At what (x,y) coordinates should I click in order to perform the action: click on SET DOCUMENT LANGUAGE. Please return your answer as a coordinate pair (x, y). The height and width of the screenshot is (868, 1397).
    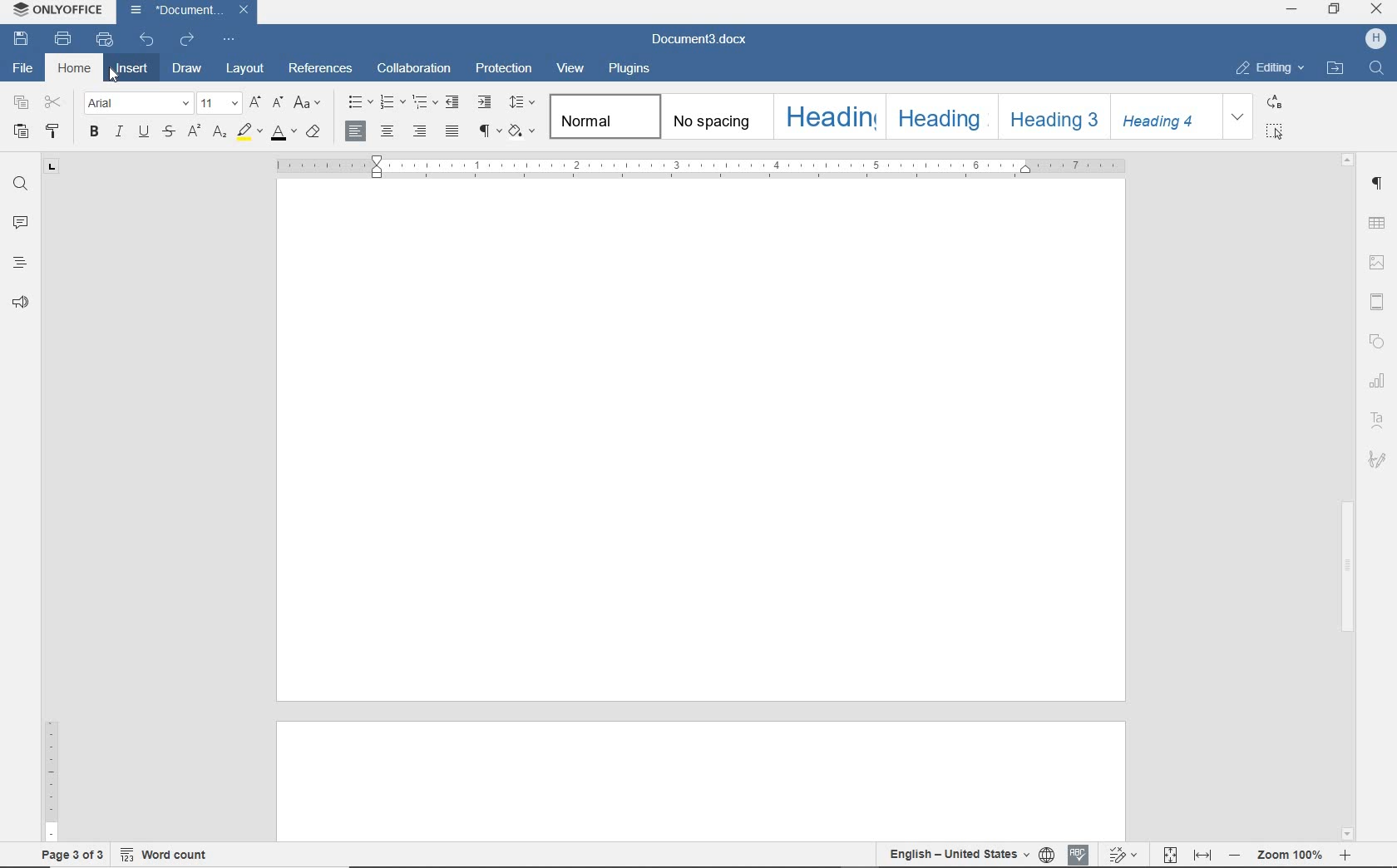
    Looking at the image, I should click on (1048, 855).